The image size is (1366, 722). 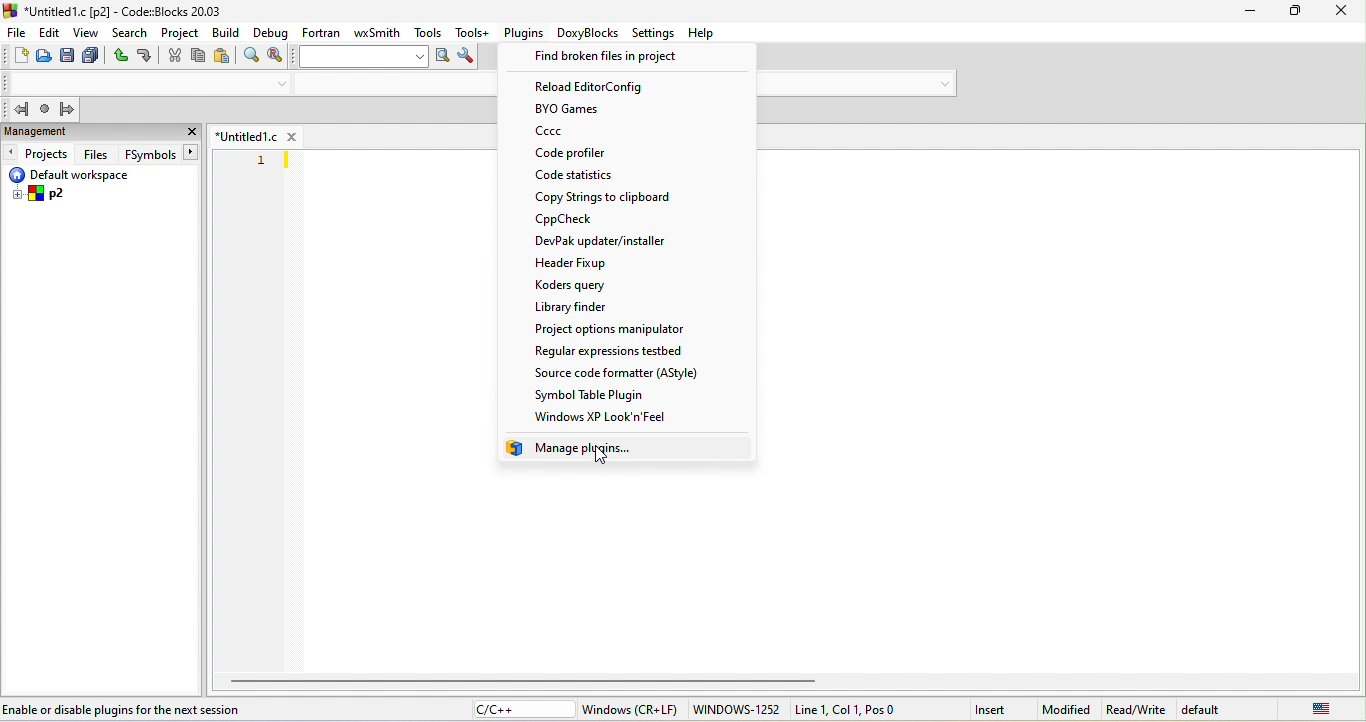 What do you see at coordinates (578, 285) in the screenshot?
I see `kodess query` at bounding box center [578, 285].